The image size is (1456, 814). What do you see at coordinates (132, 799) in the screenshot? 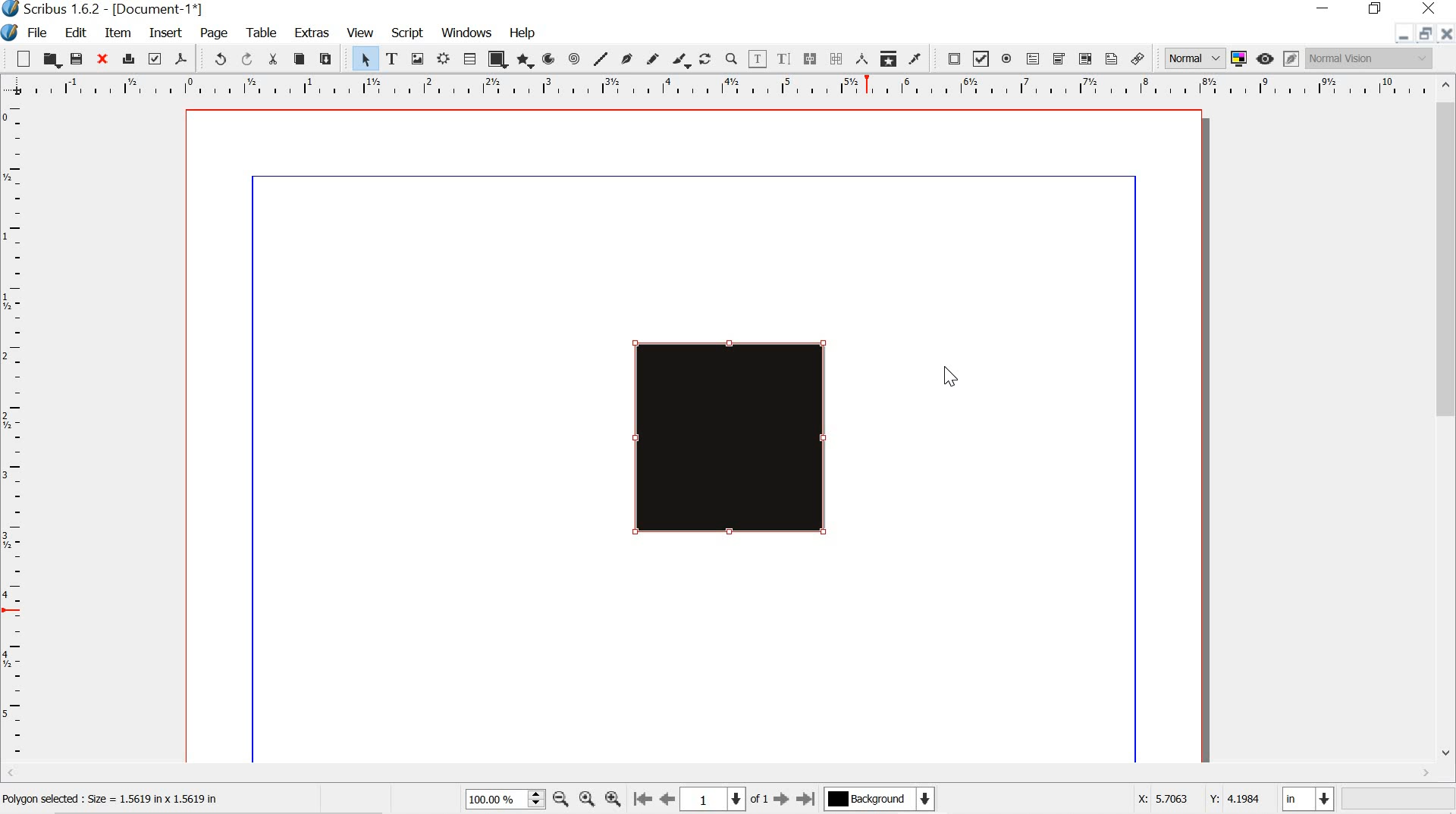
I see `polygon selected : size = 1.5619 in x 5619 in` at bounding box center [132, 799].